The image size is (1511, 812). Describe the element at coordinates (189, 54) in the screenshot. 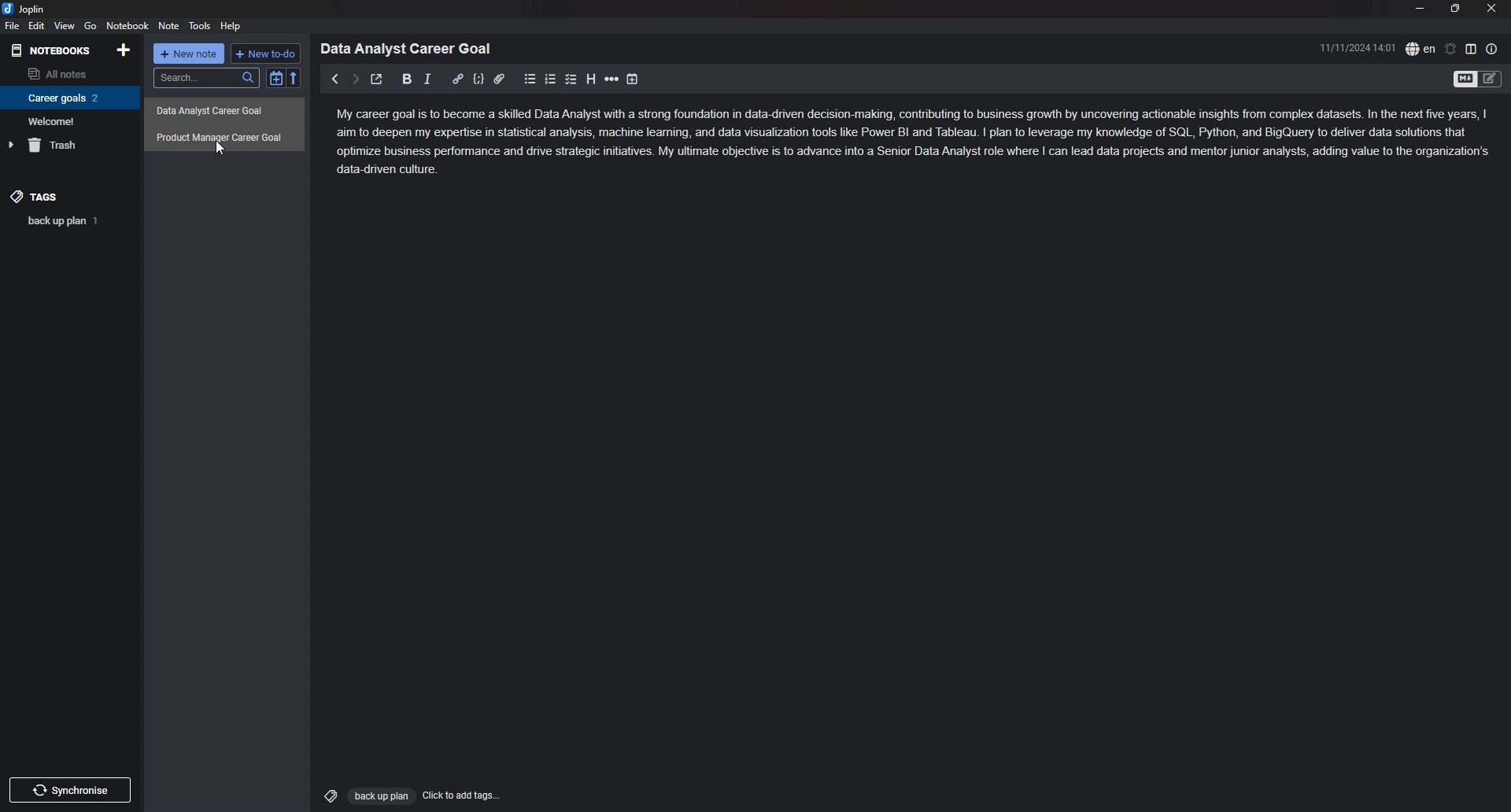

I see `+ new note` at that location.